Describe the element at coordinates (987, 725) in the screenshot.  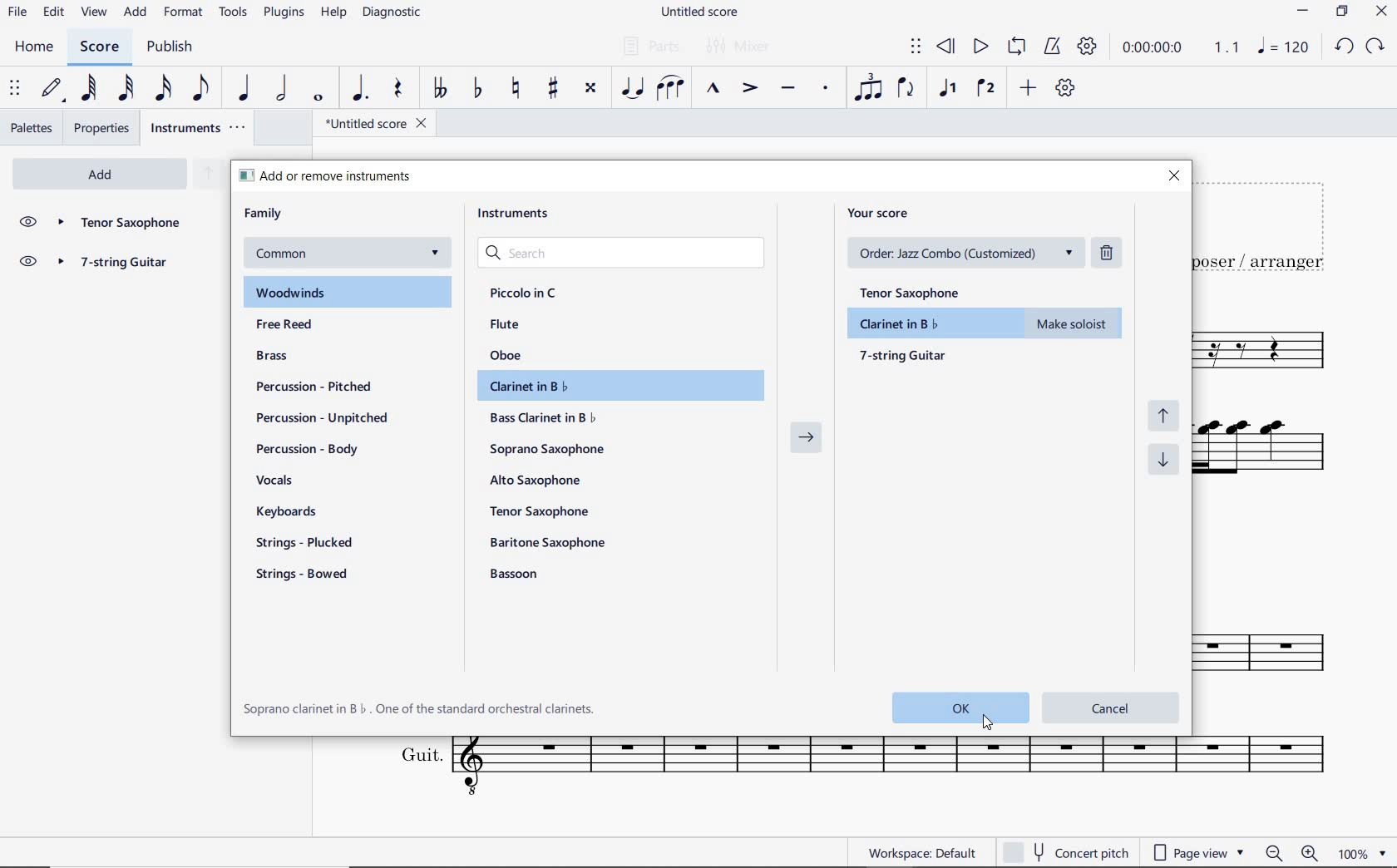
I see `cursor` at that location.